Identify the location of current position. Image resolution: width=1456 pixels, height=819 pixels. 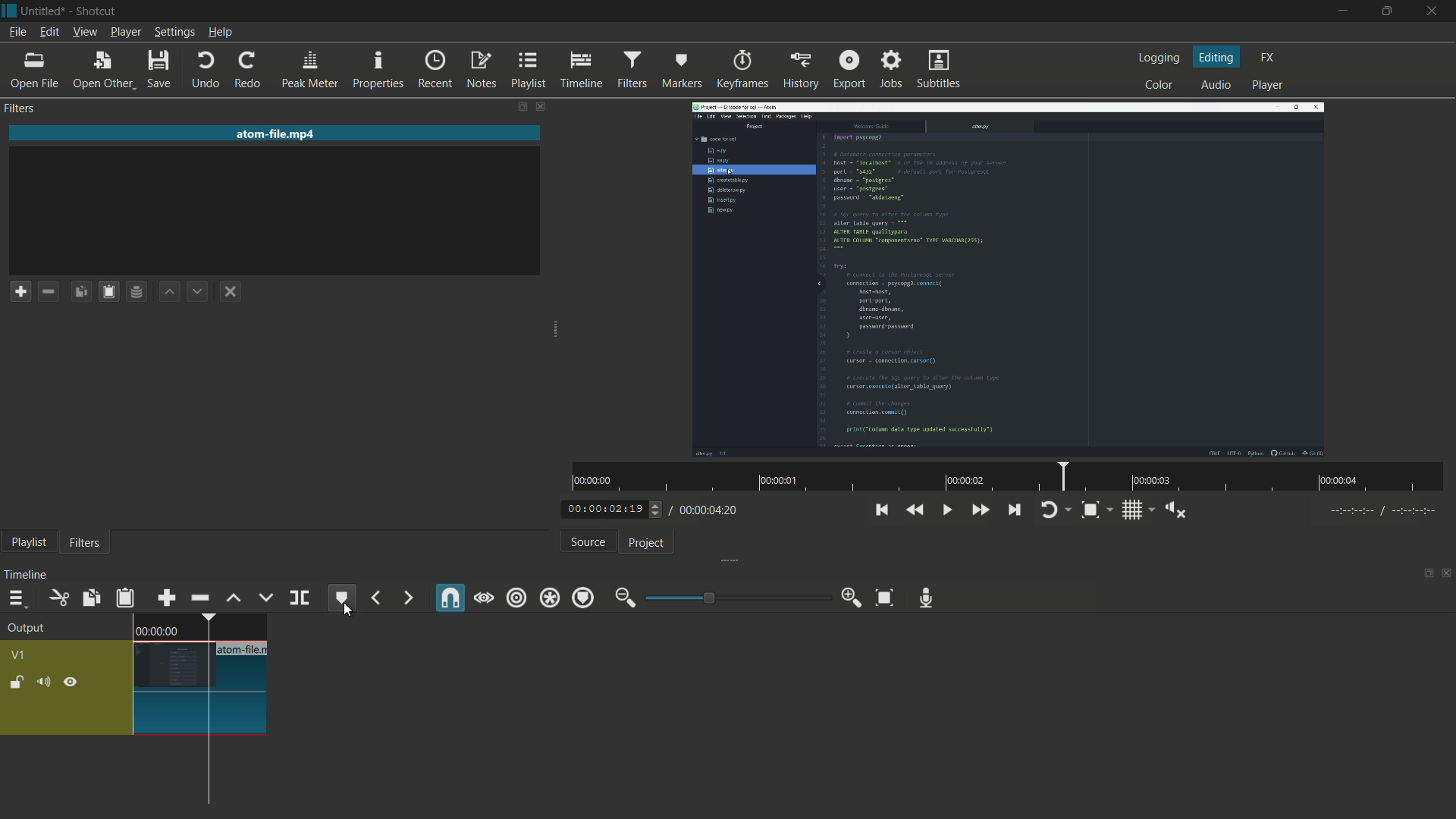
(206, 711).